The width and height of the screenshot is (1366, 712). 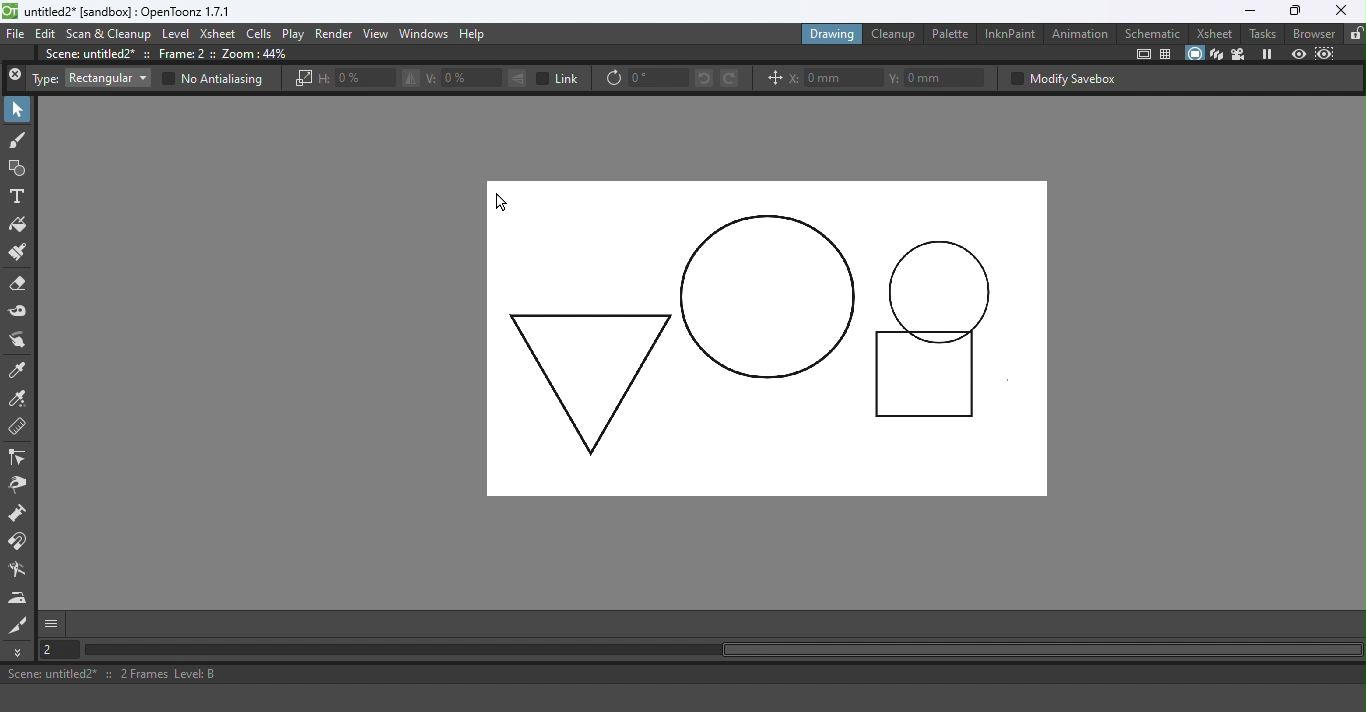 I want to click on GUI show/hide, so click(x=53, y=624).